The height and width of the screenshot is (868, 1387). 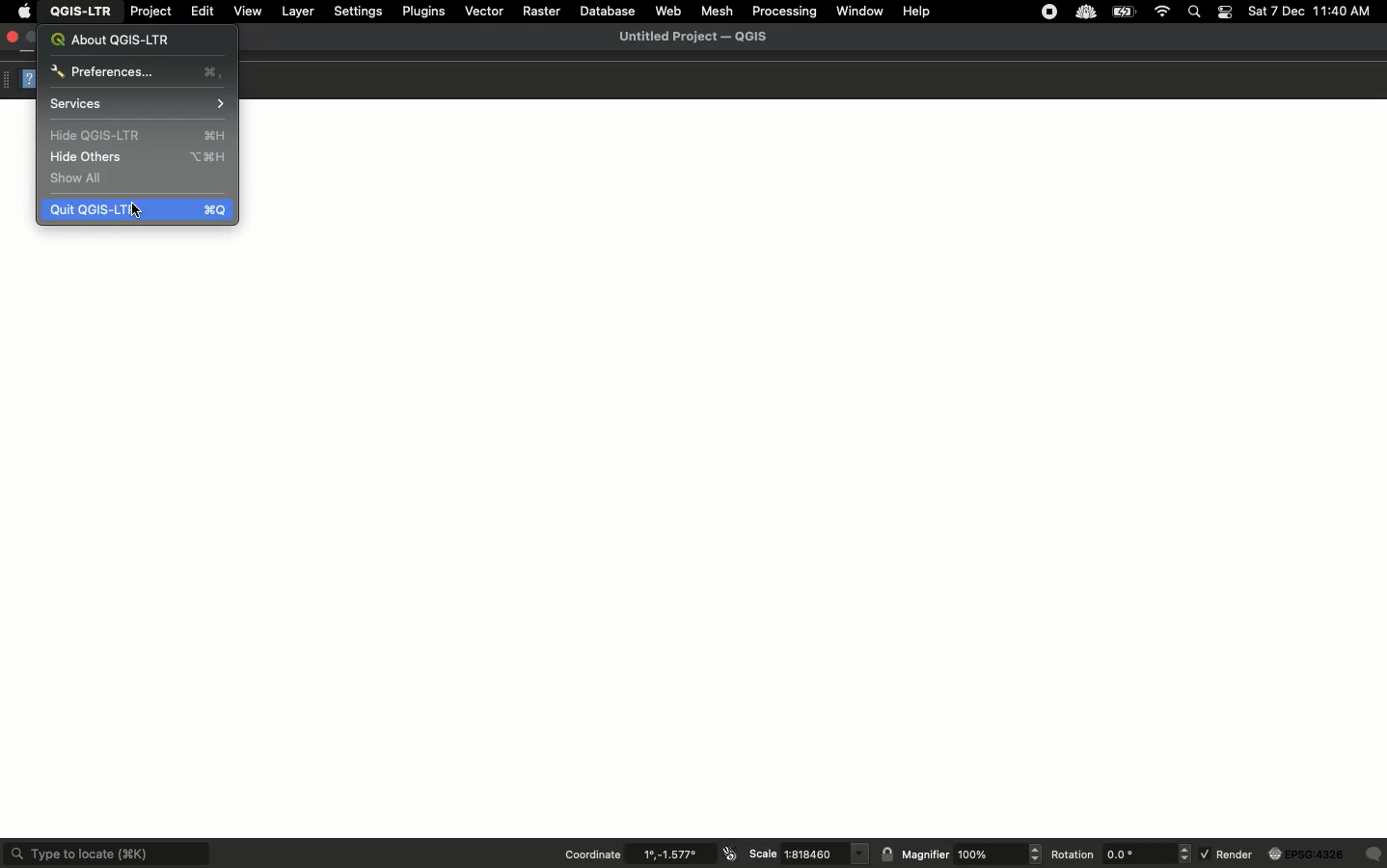 I want to click on Show all, so click(x=80, y=178).